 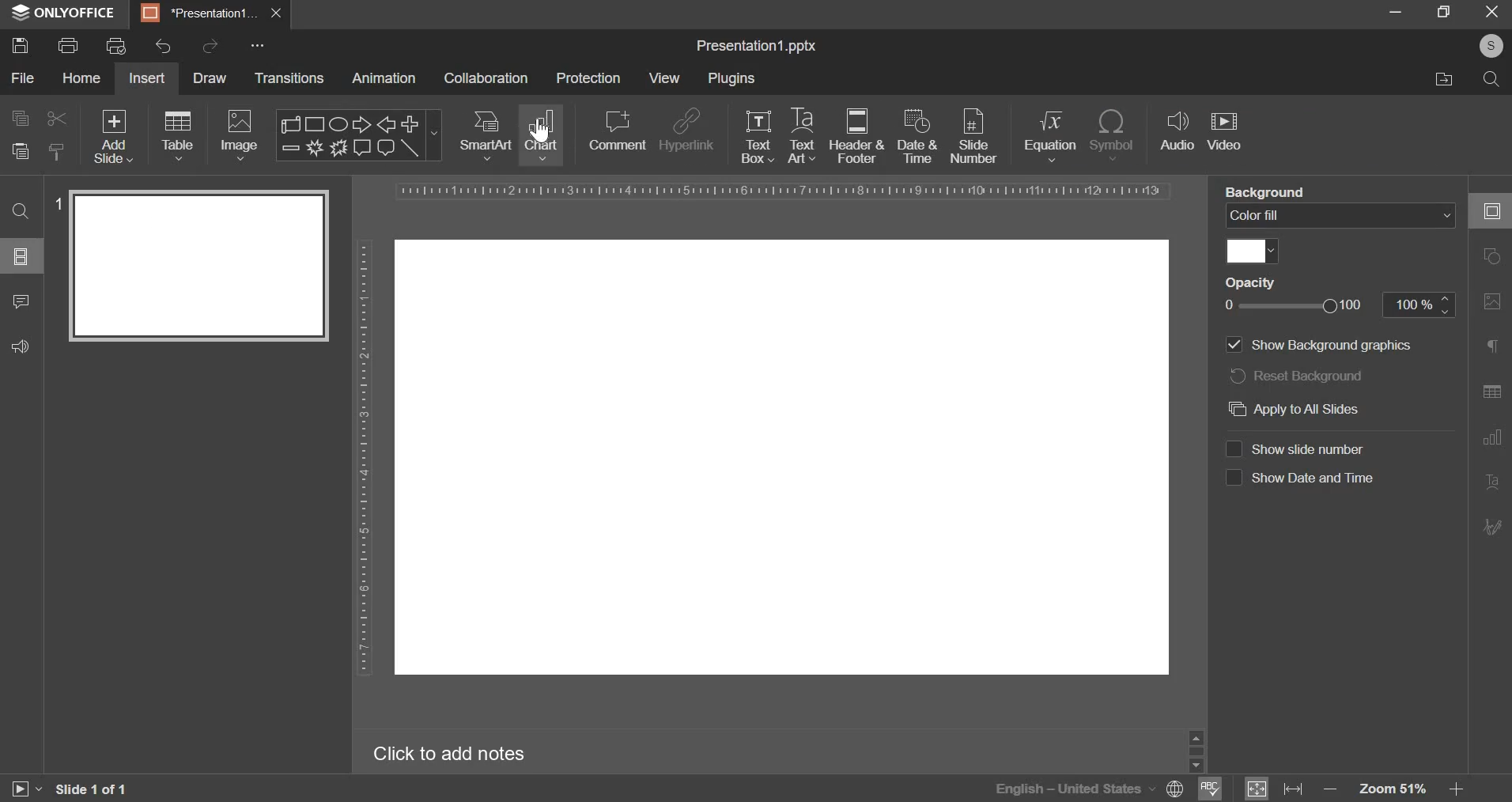 What do you see at coordinates (665, 76) in the screenshot?
I see `view` at bounding box center [665, 76].